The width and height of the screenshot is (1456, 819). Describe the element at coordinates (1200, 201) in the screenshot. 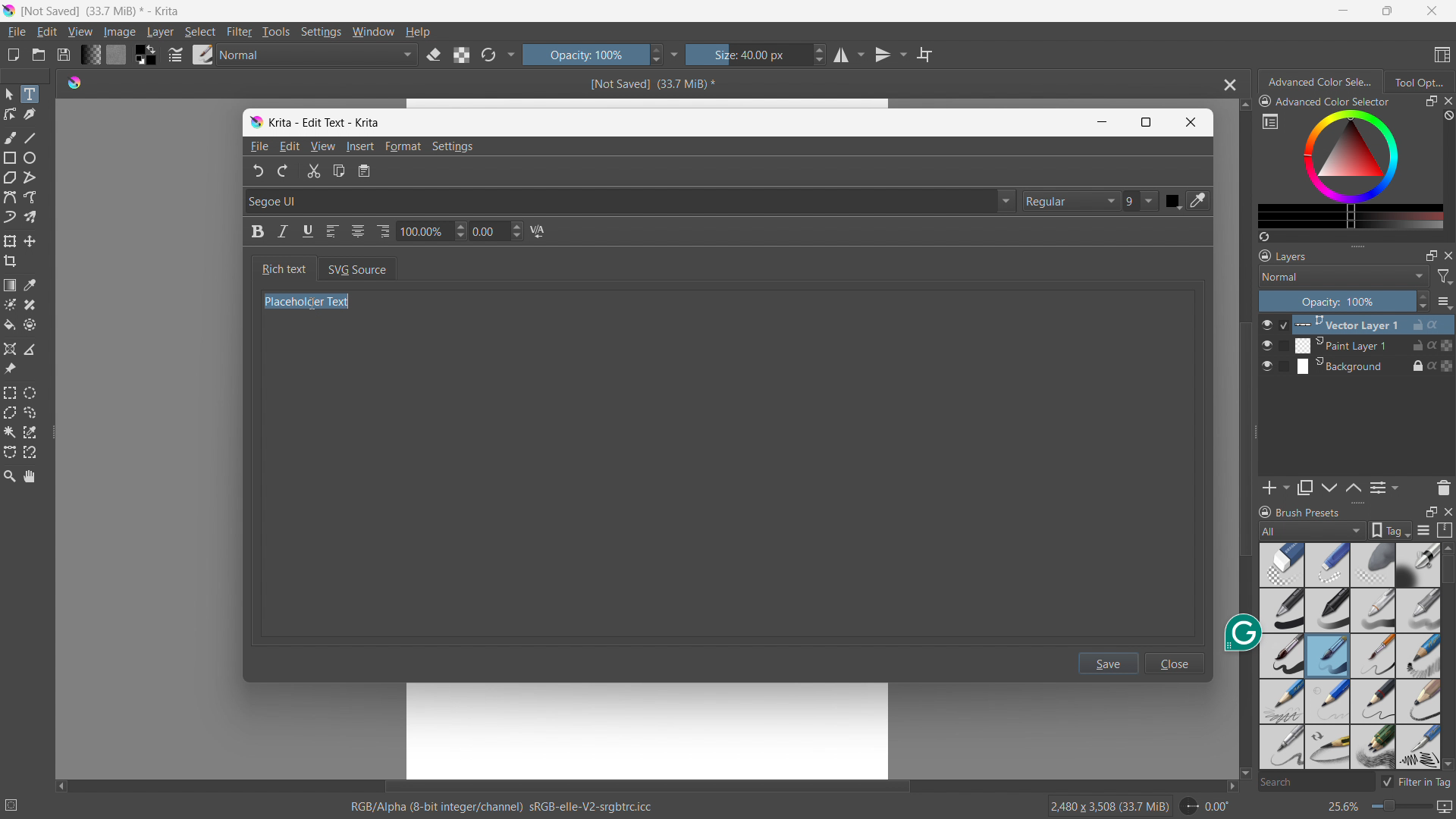

I see `color pick` at that location.